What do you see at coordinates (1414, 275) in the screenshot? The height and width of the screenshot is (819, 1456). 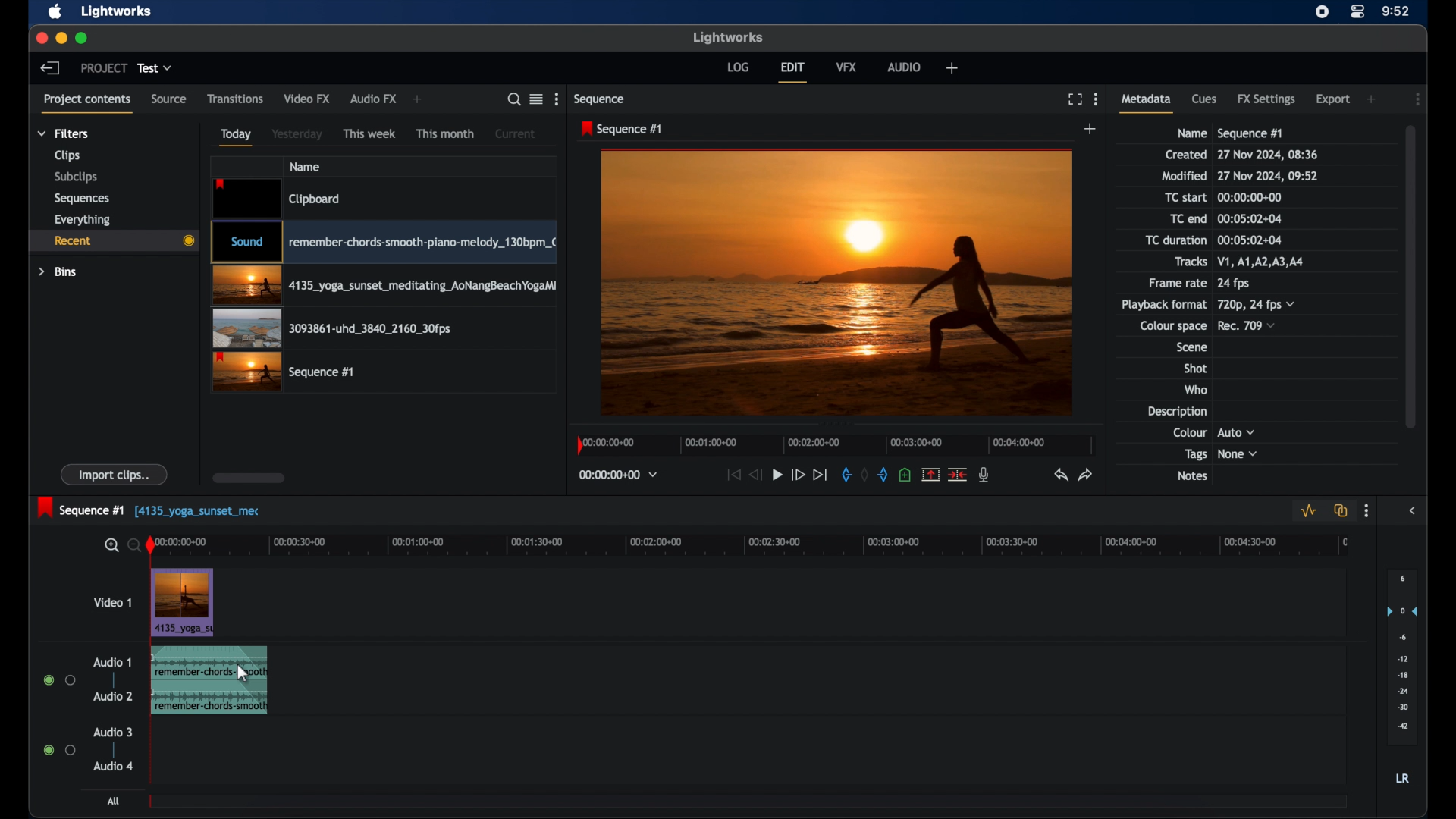 I see `scroll box` at bounding box center [1414, 275].